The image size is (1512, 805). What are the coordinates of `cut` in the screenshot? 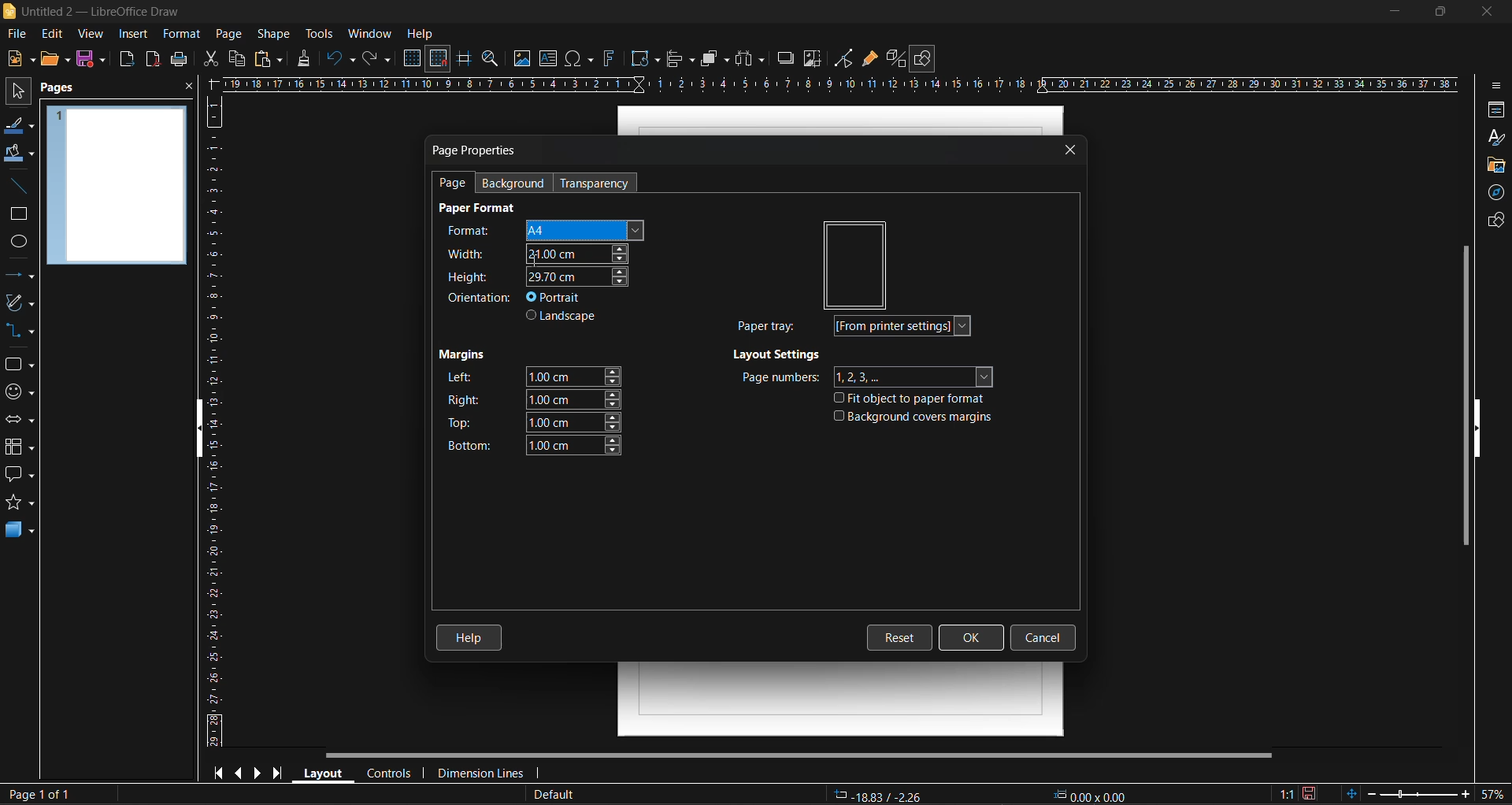 It's located at (207, 59).